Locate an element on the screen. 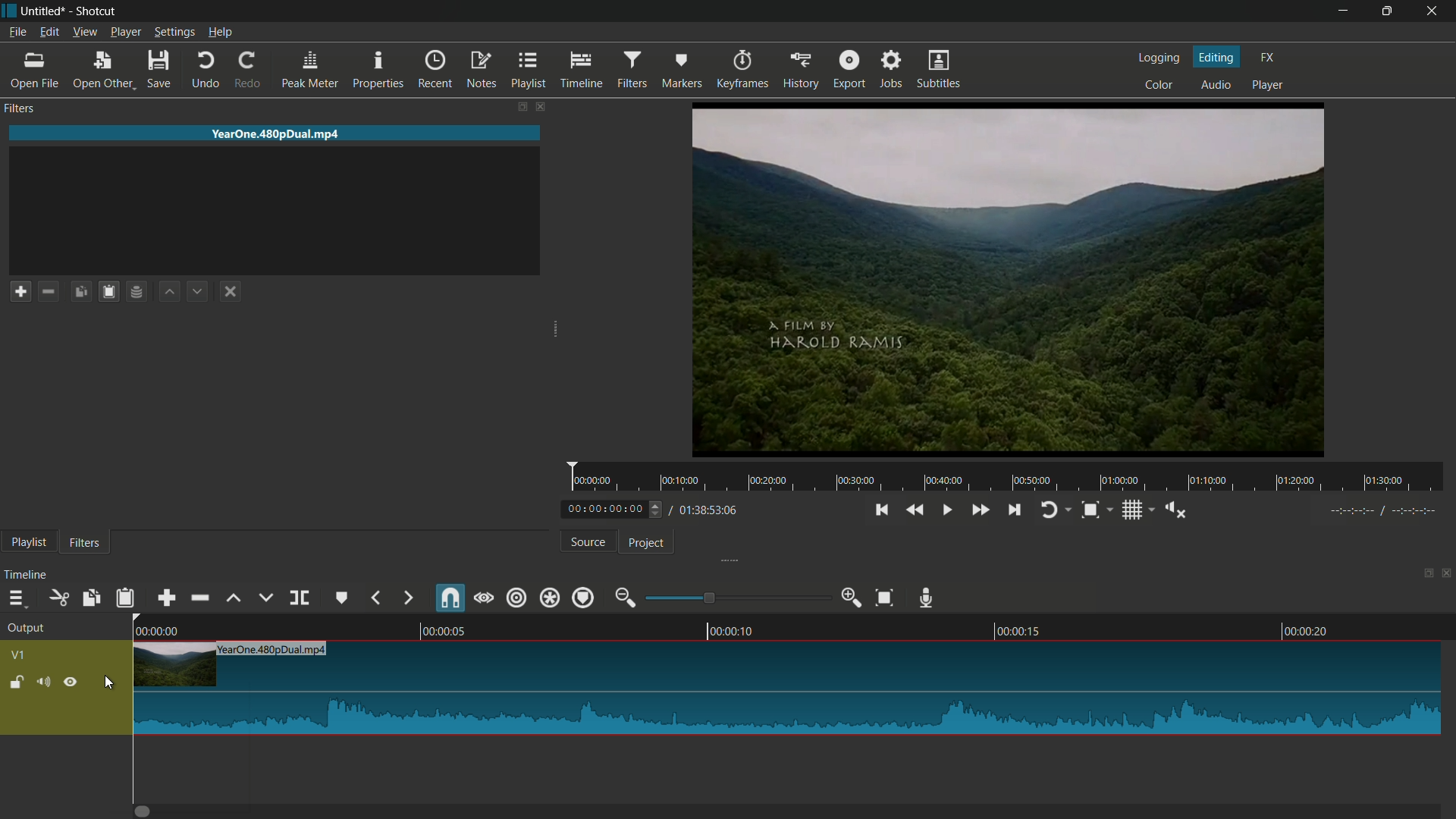 This screenshot has height=819, width=1456. timestamps is located at coordinates (729, 631).